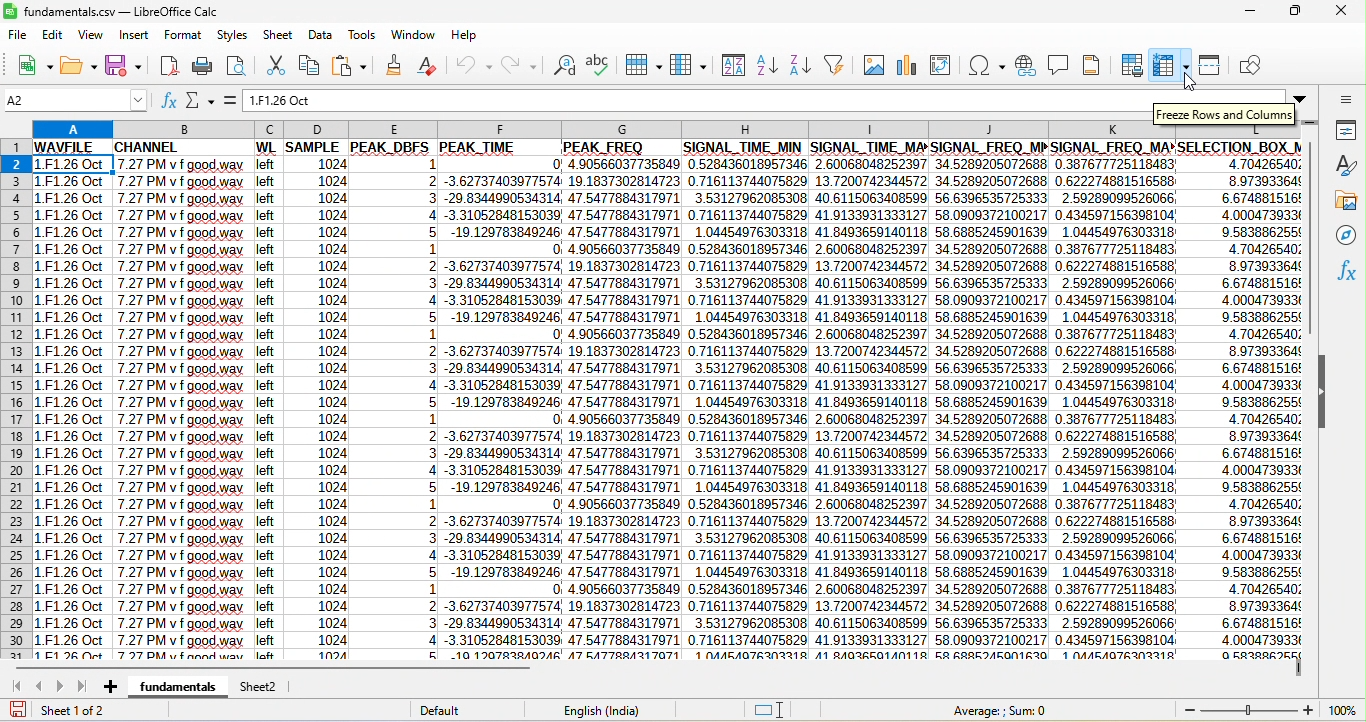  I want to click on undo, so click(473, 68).